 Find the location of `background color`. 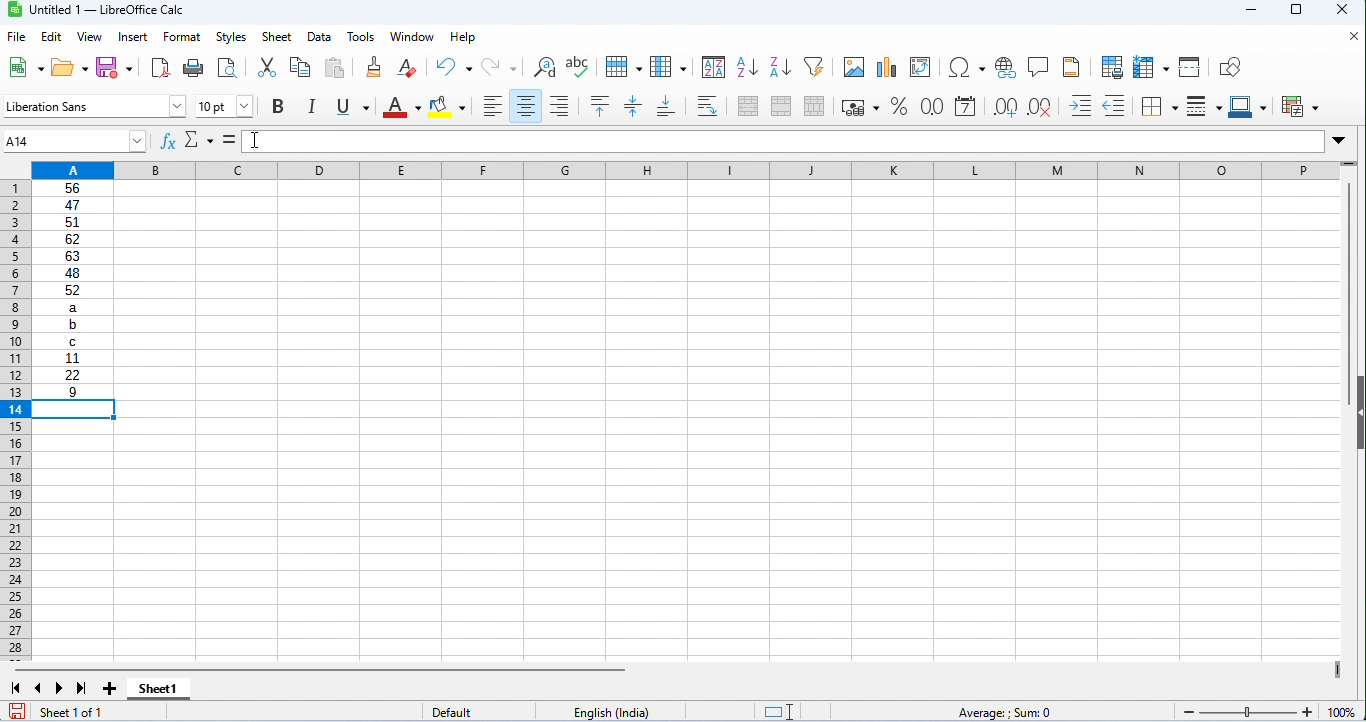

background color is located at coordinates (449, 106).